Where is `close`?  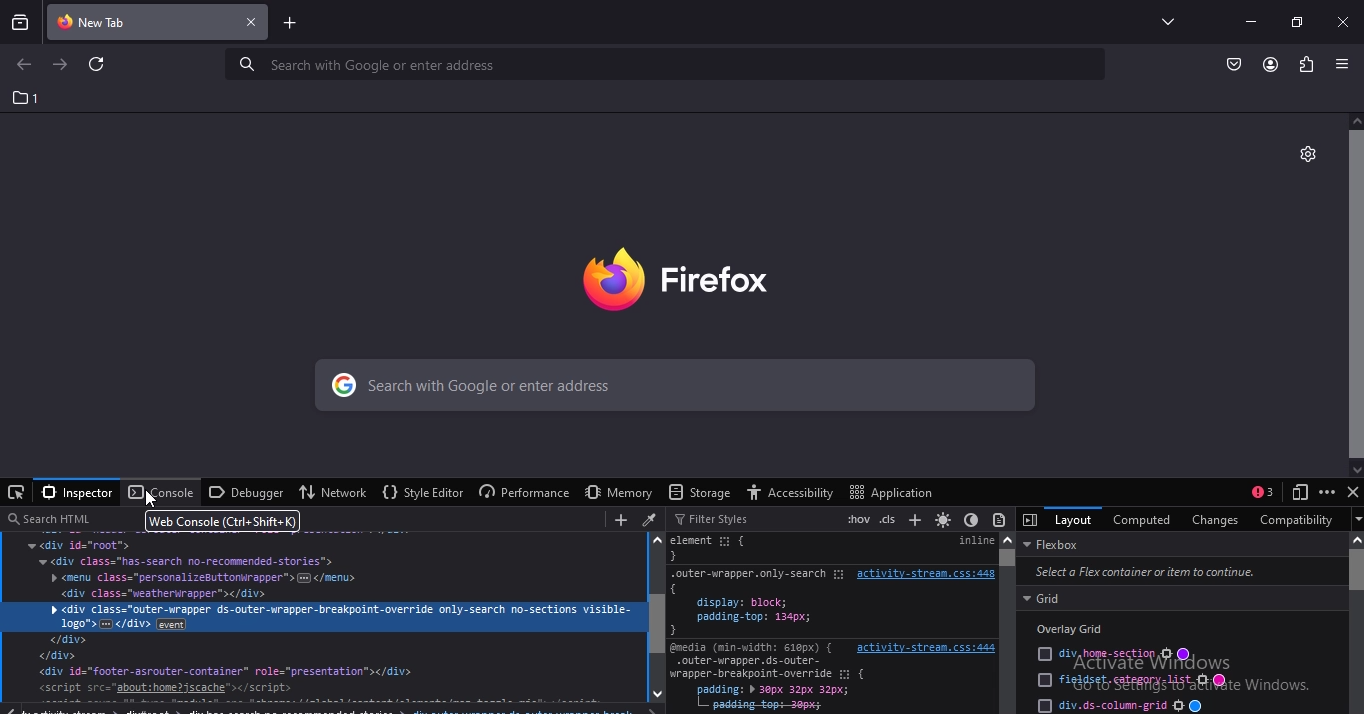 close is located at coordinates (251, 23).